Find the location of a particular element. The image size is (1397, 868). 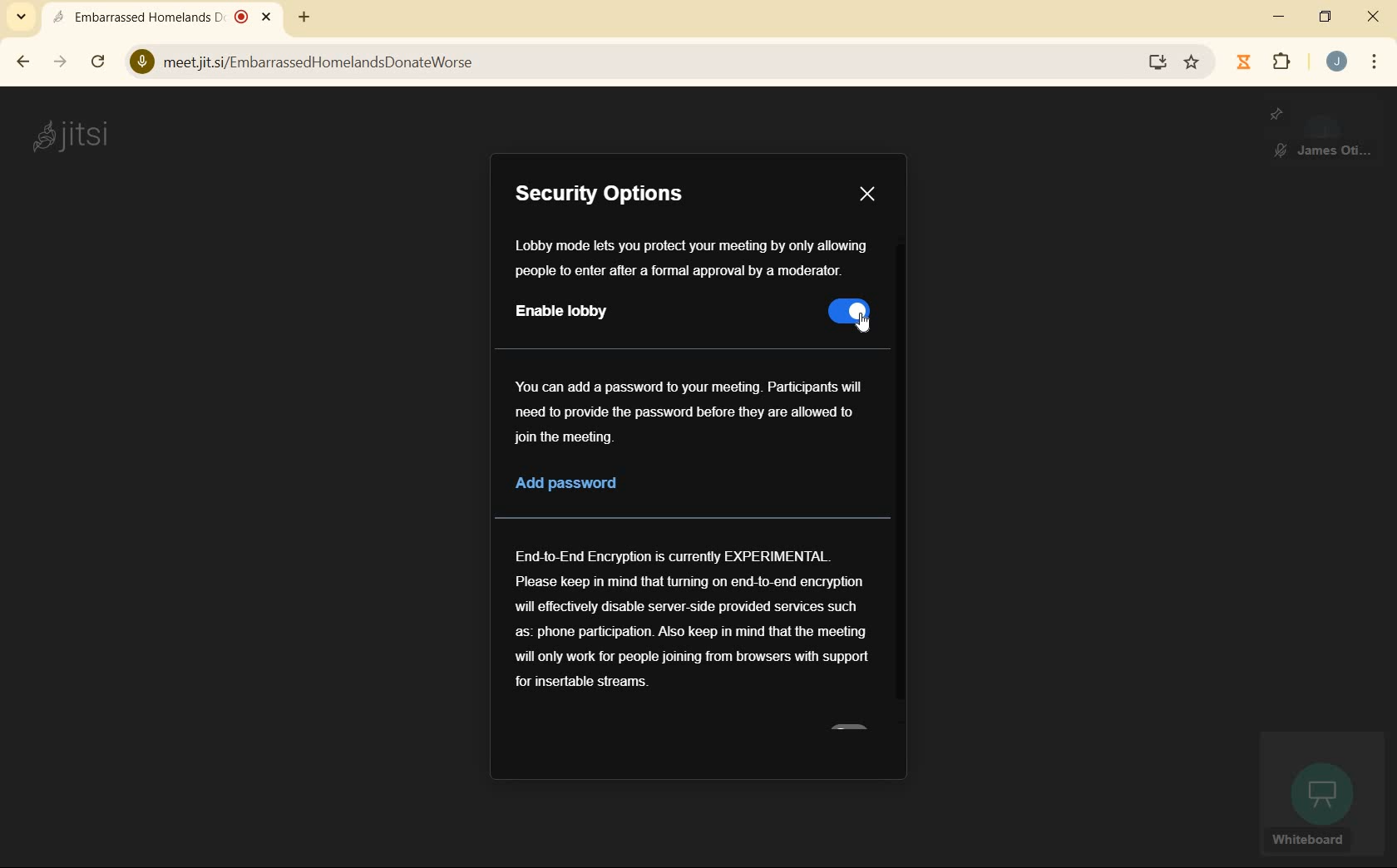

forward is located at coordinates (59, 62).